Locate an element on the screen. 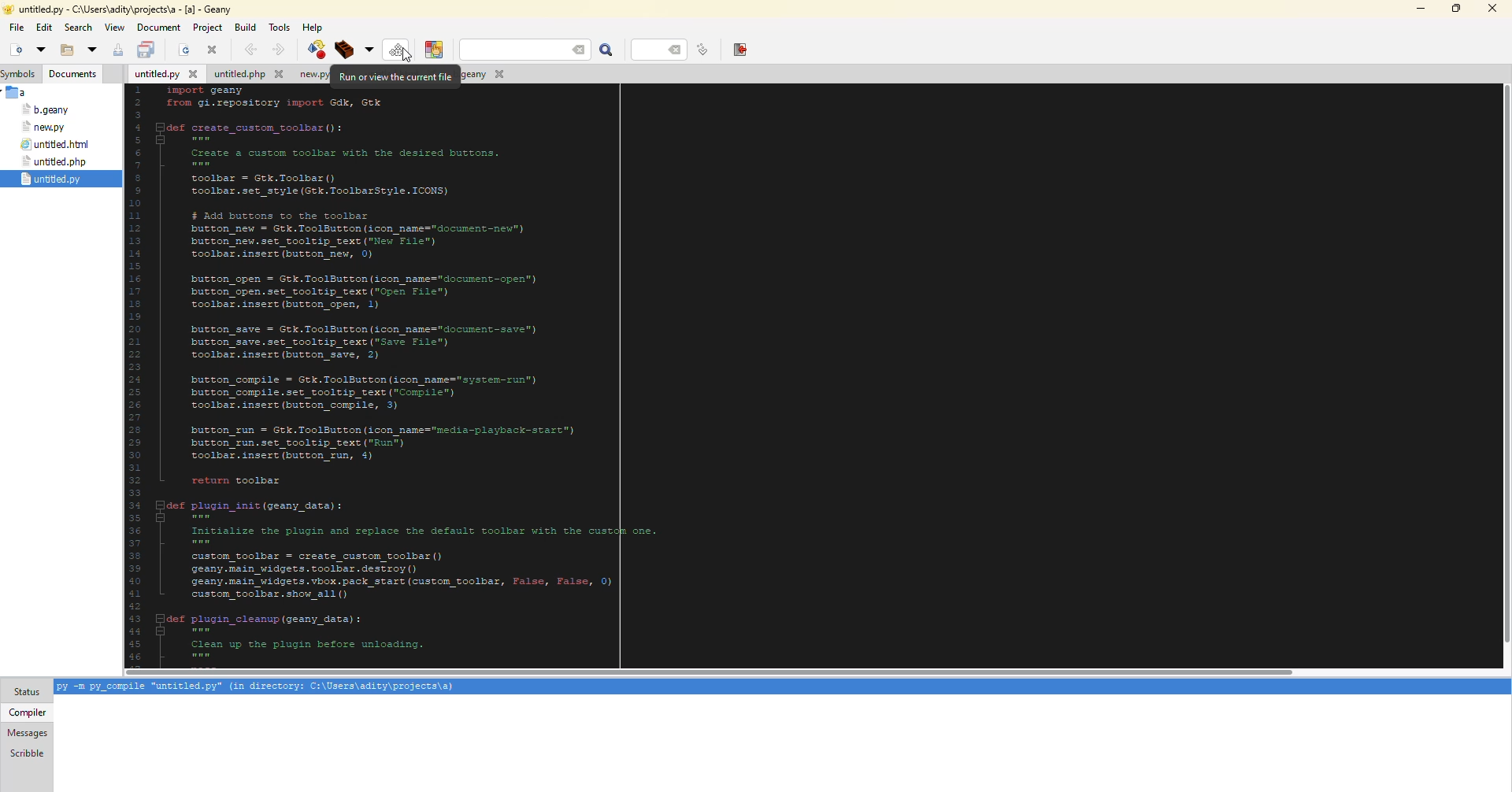  documents is located at coordinates (72, 74).